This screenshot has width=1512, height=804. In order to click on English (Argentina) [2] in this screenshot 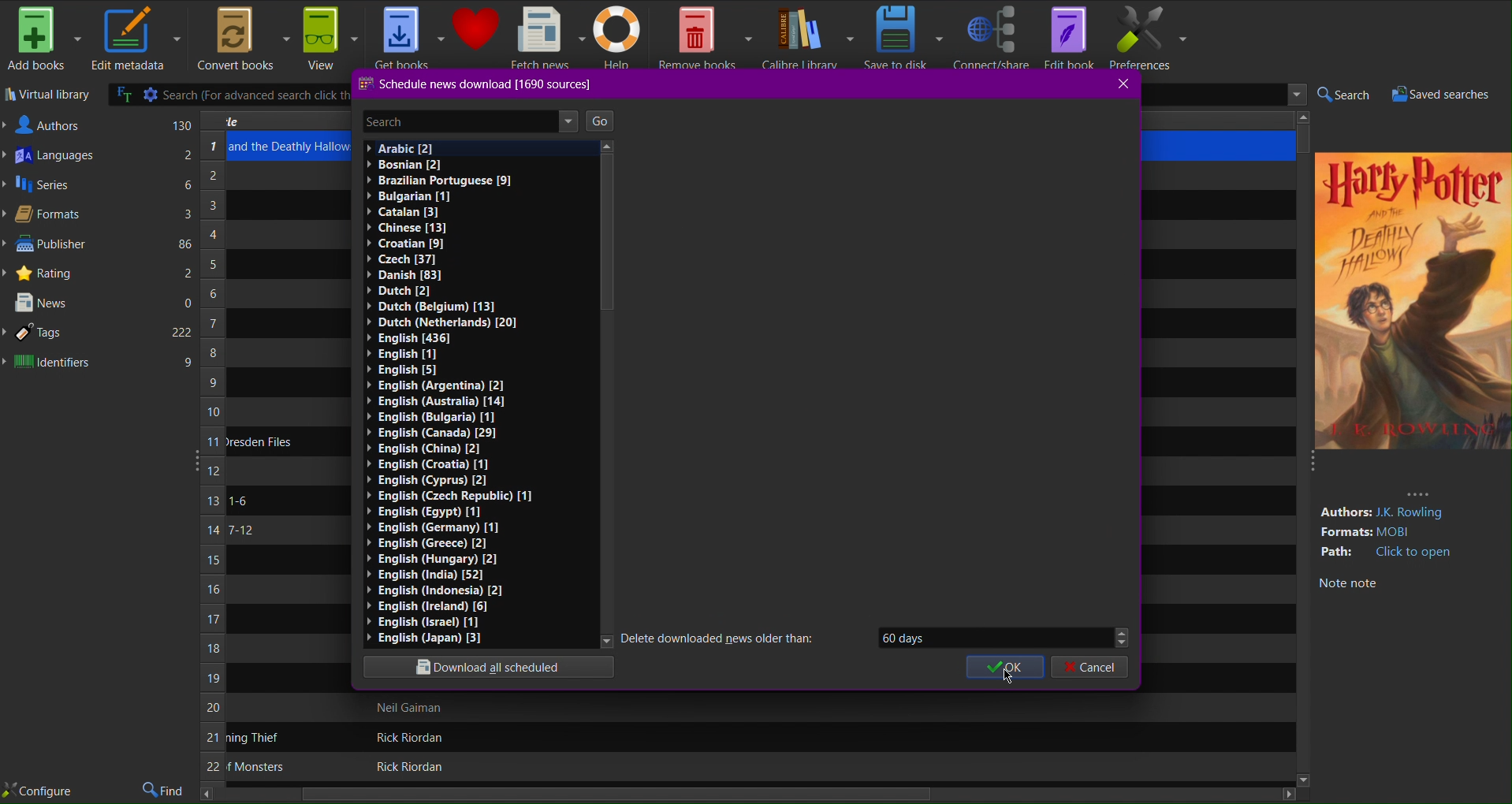, I will do `click(433, 386)`.